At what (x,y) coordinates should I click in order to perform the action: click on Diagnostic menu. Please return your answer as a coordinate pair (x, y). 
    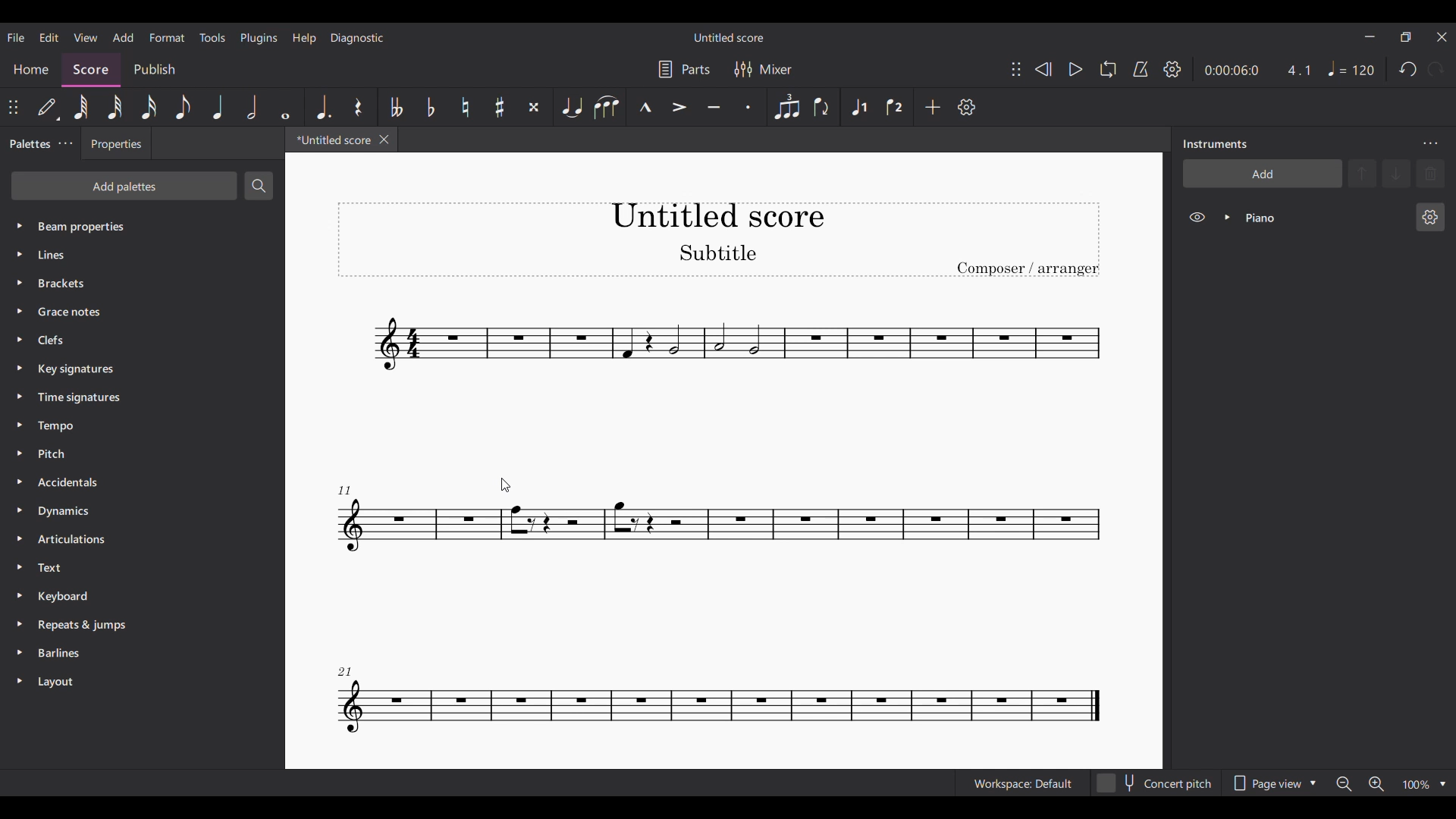
    Looking at the image, I should click on (357, 37).